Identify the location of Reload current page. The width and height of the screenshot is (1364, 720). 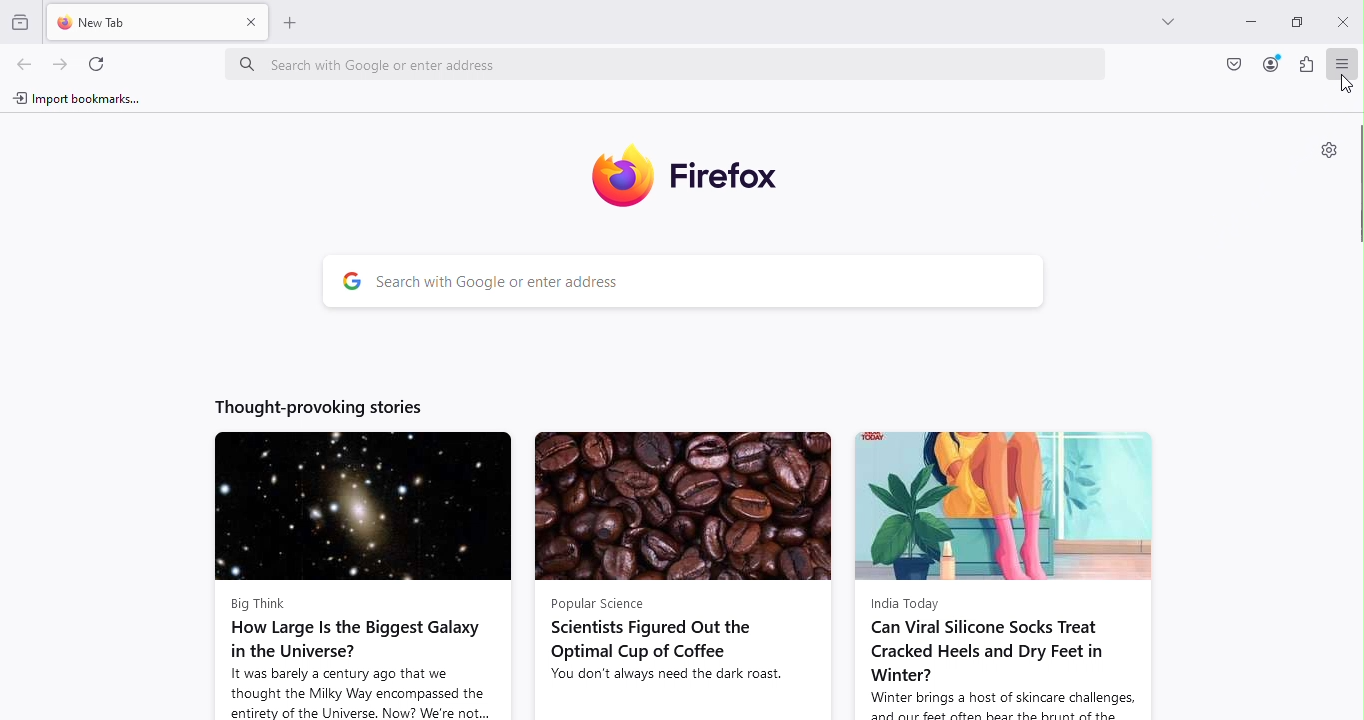
(99, 62).